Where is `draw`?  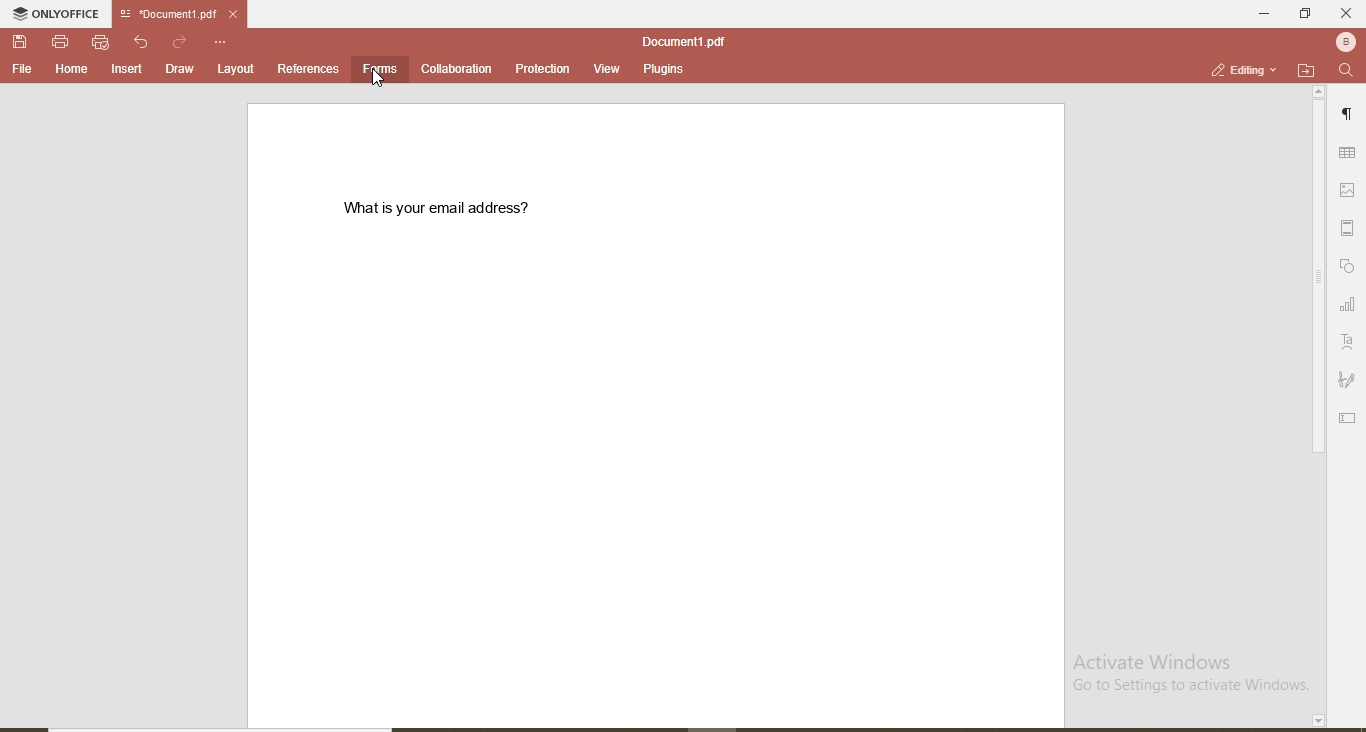 draw is located at coordinates (178, 68).